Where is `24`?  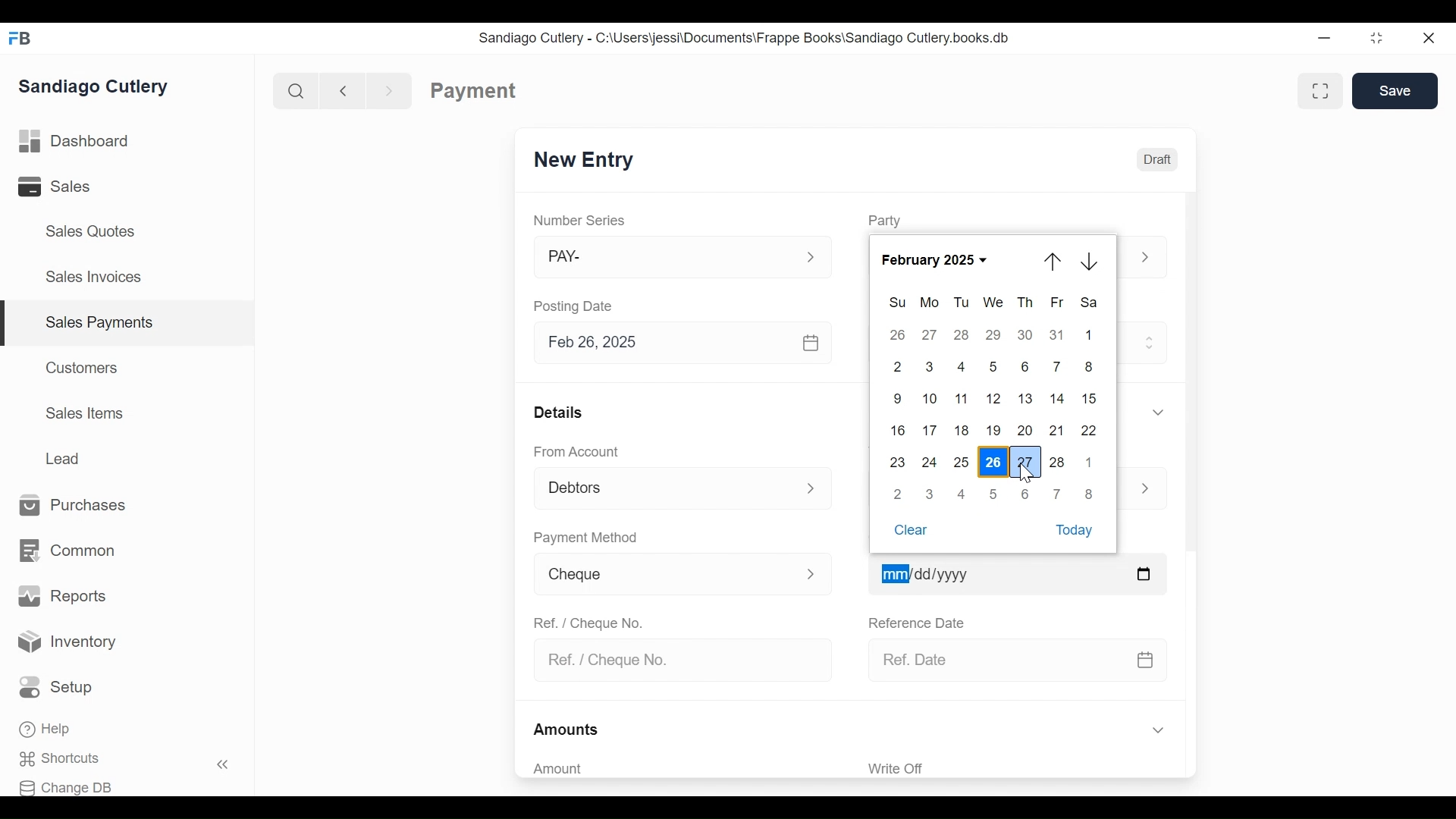 24 is located at coordinates (930, 461).